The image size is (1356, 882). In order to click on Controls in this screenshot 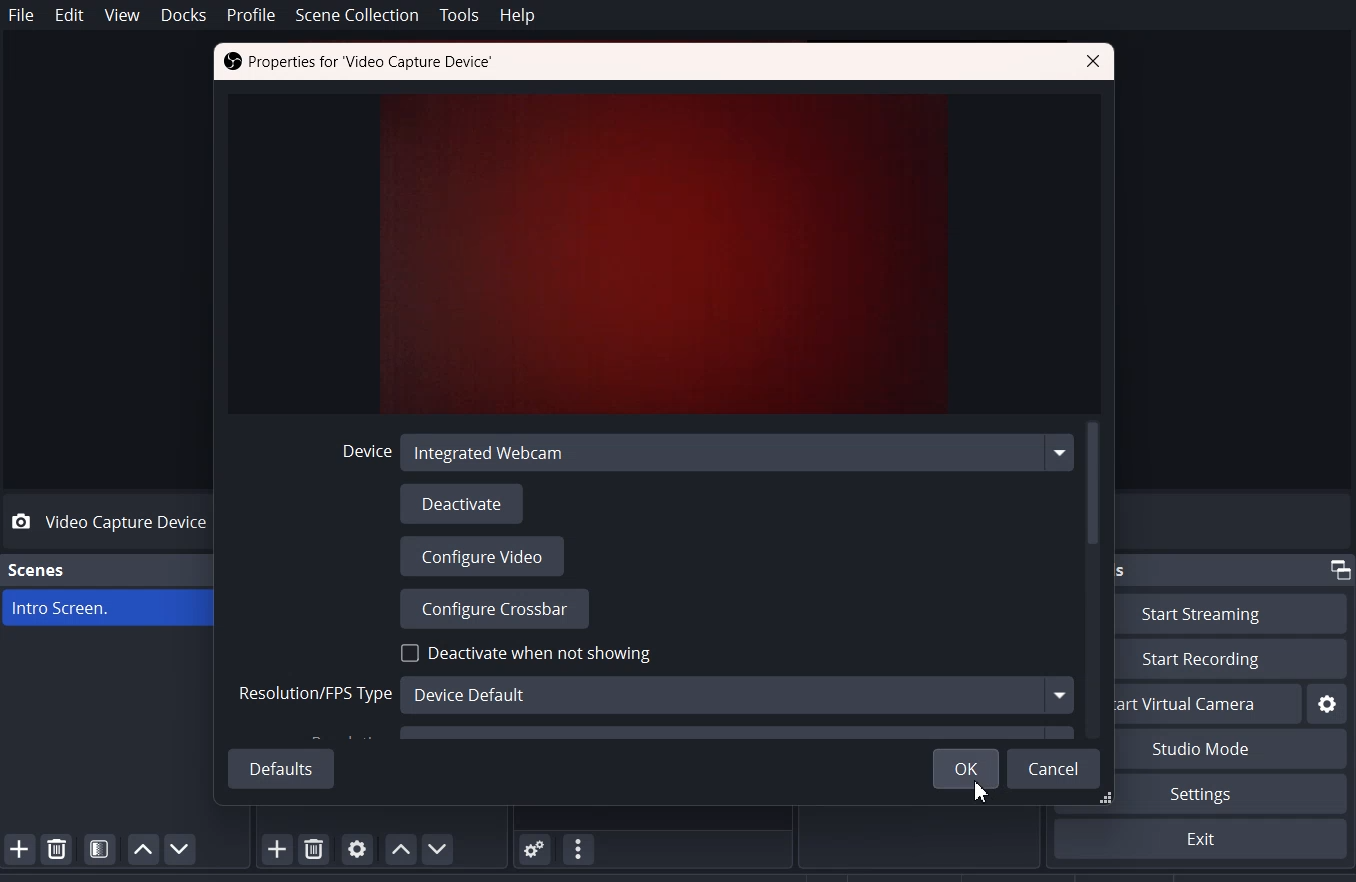, I will do `click(1122, 569)`.